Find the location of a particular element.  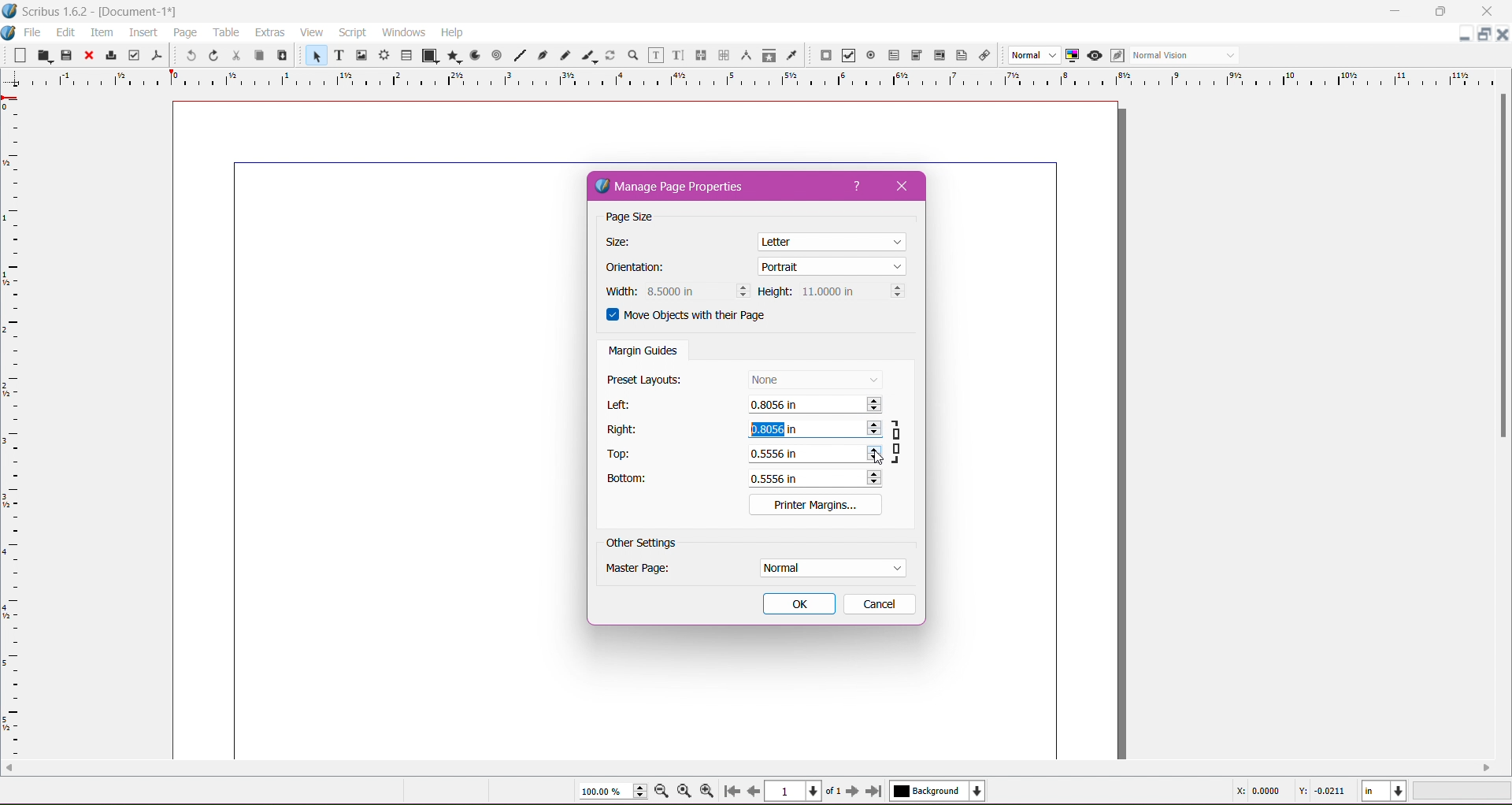

Set Page Orientation is located at coordinates (832, 265).